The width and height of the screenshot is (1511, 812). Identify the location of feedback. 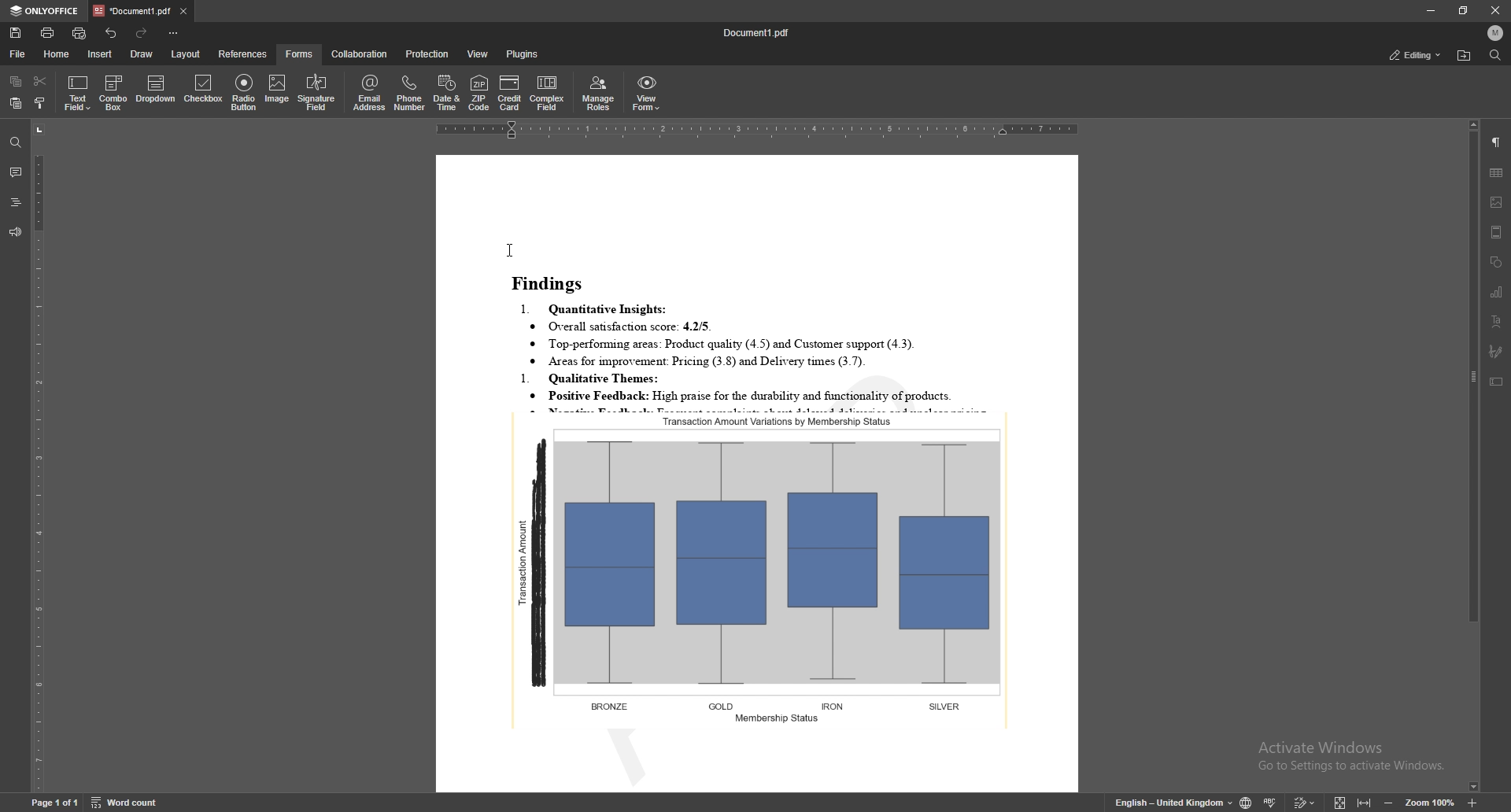
(13, 234).